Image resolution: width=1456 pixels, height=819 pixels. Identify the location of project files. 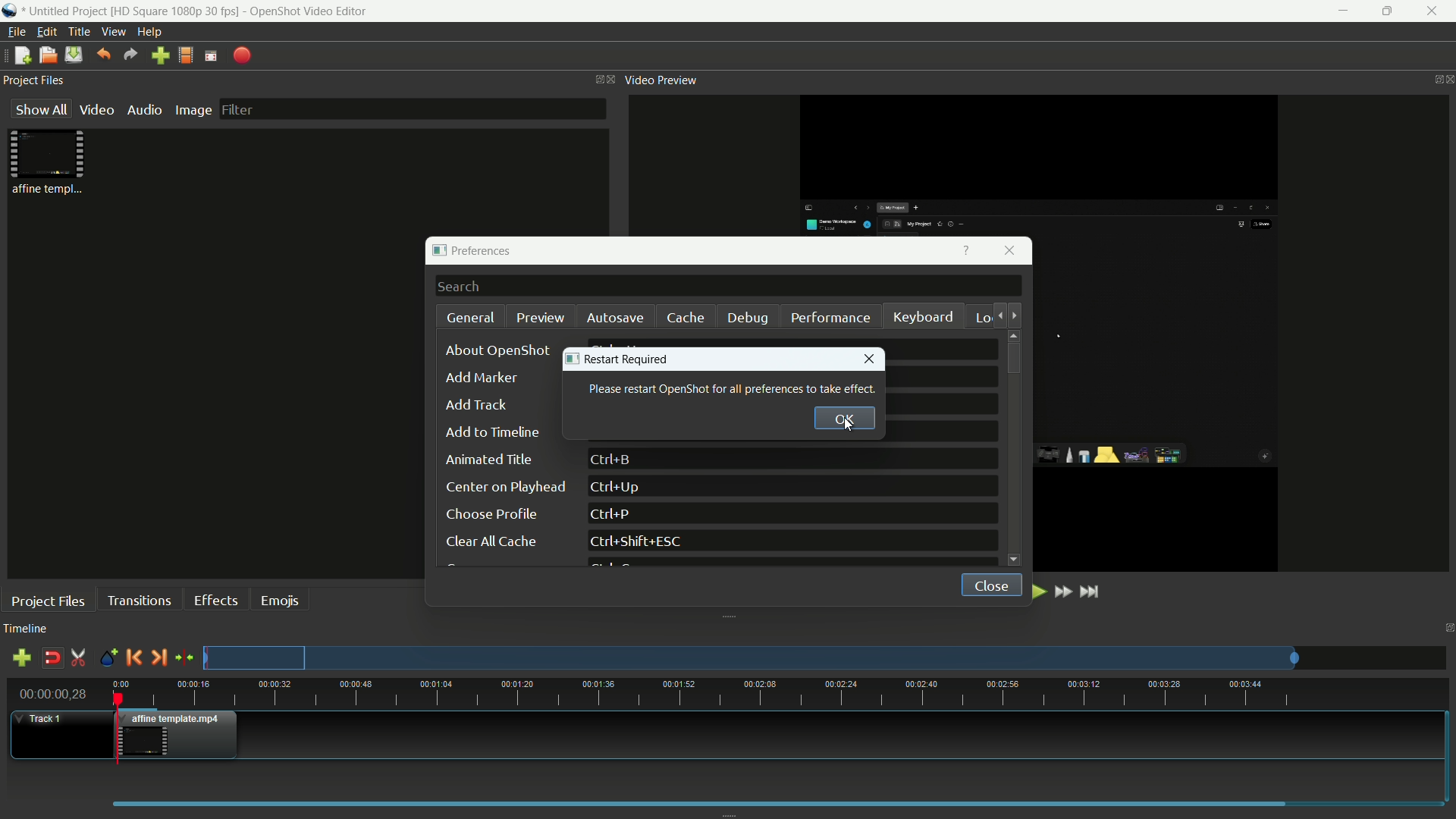
(49, 601).